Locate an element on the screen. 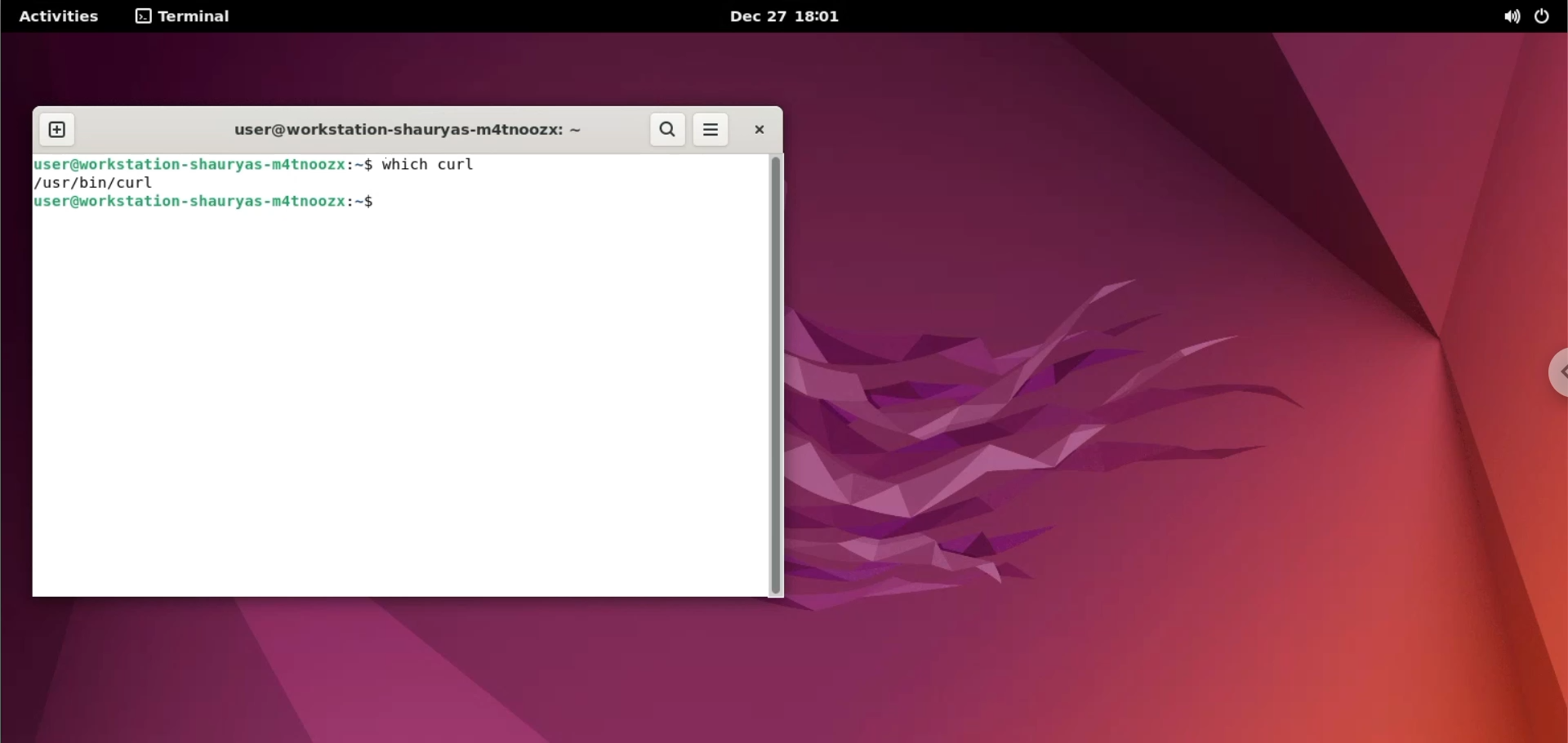  Activities is located at coordinates (60, 16).